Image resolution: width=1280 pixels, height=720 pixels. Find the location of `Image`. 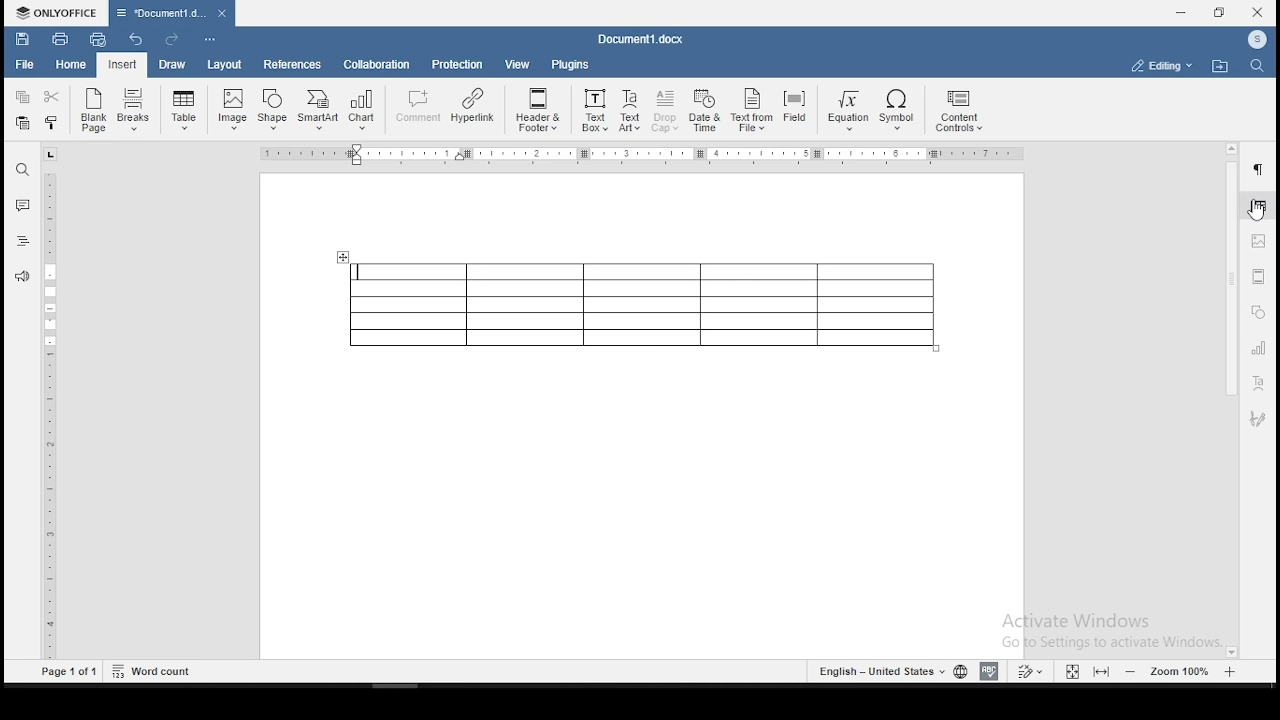

Image is located at coordinates (234, 109).